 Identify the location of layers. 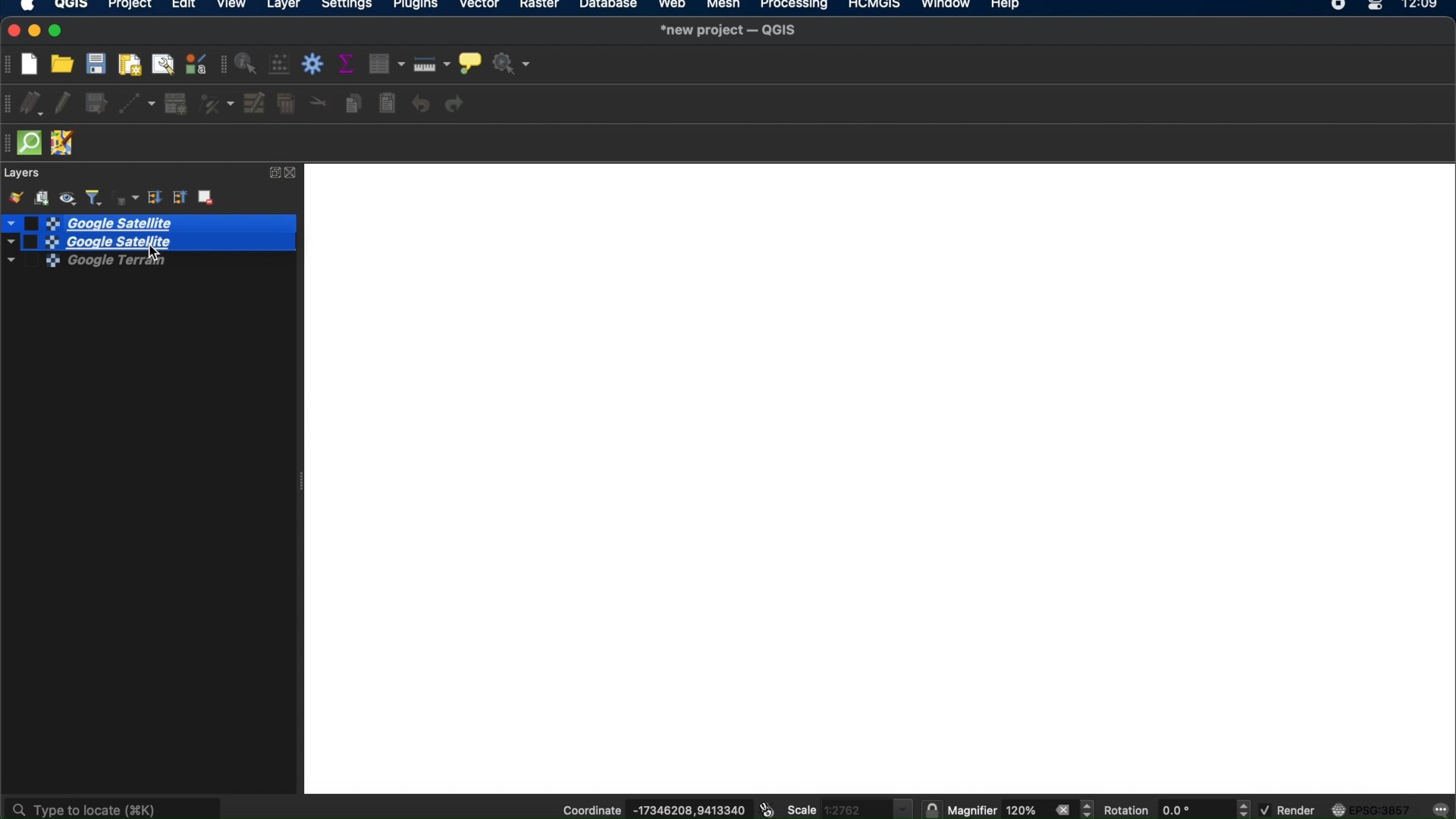
(24, 173).